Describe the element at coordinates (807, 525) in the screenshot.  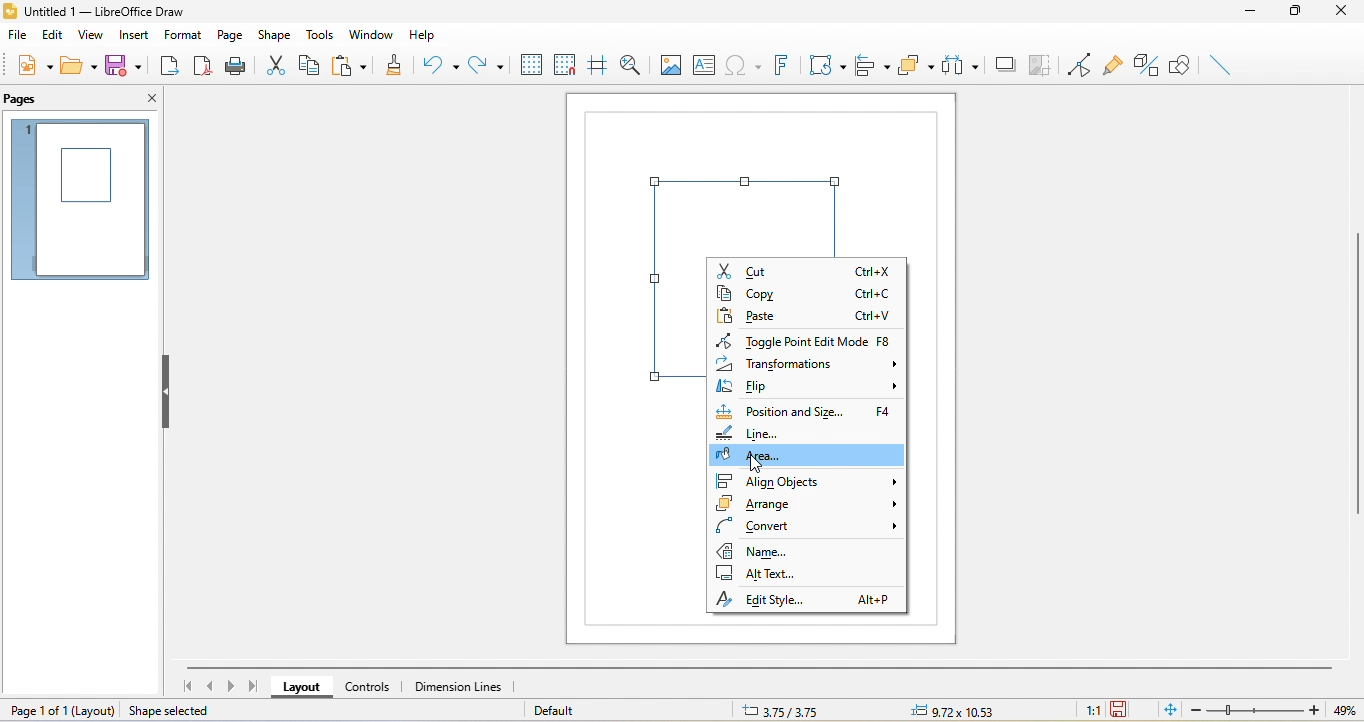
I see `convert` at that location.